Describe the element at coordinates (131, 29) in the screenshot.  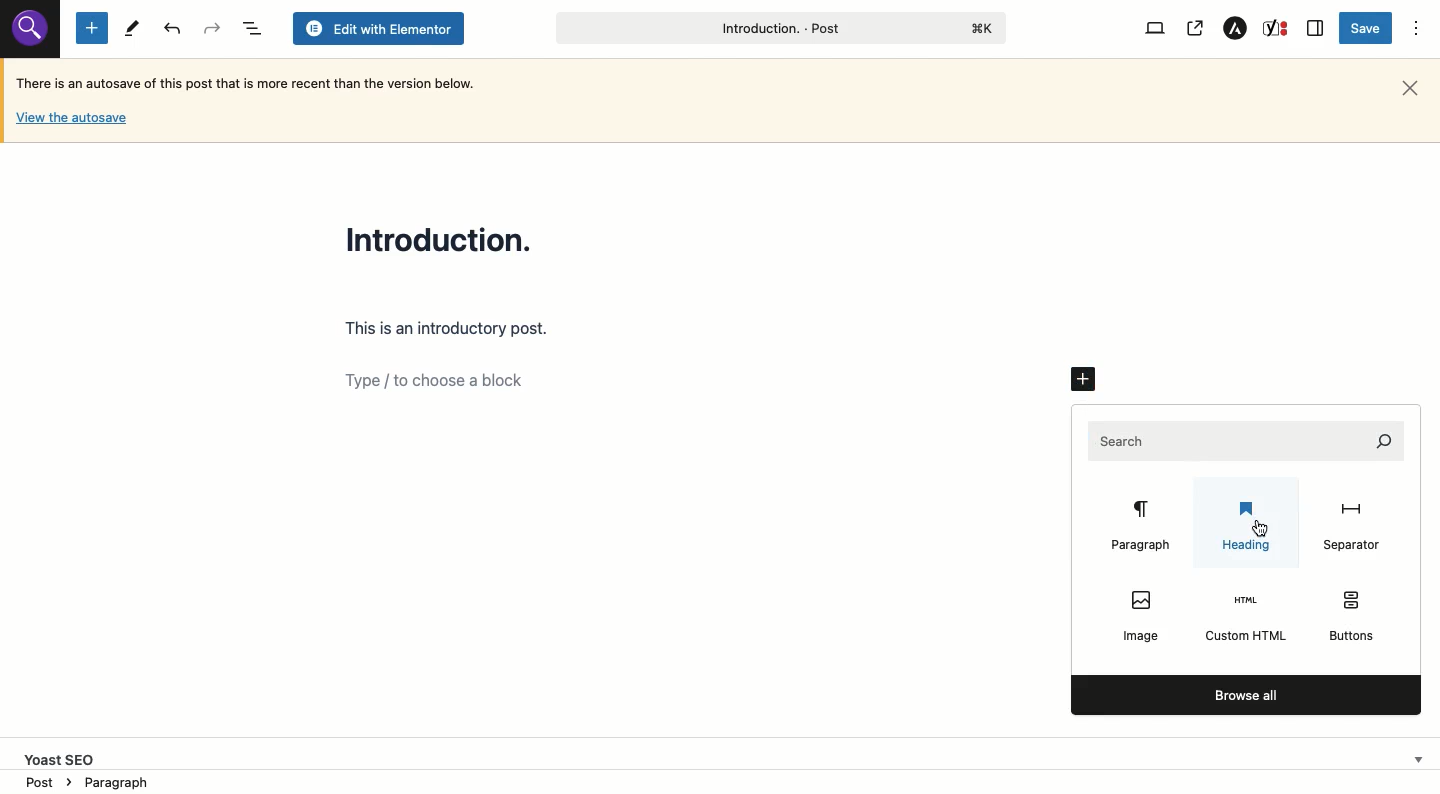
I see `Tools` at that location.